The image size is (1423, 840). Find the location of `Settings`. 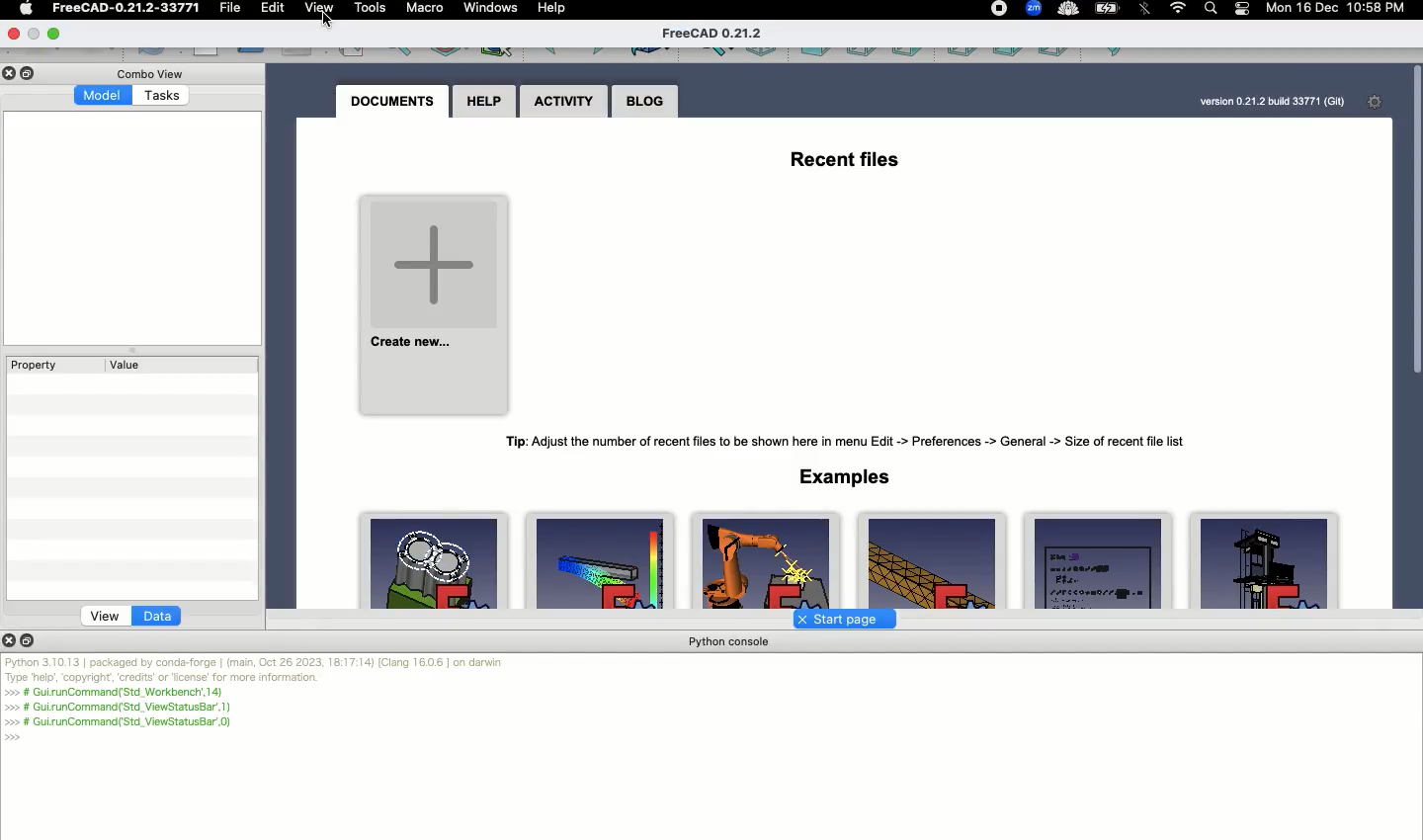

Settings is located at coordinates (1380, 102).